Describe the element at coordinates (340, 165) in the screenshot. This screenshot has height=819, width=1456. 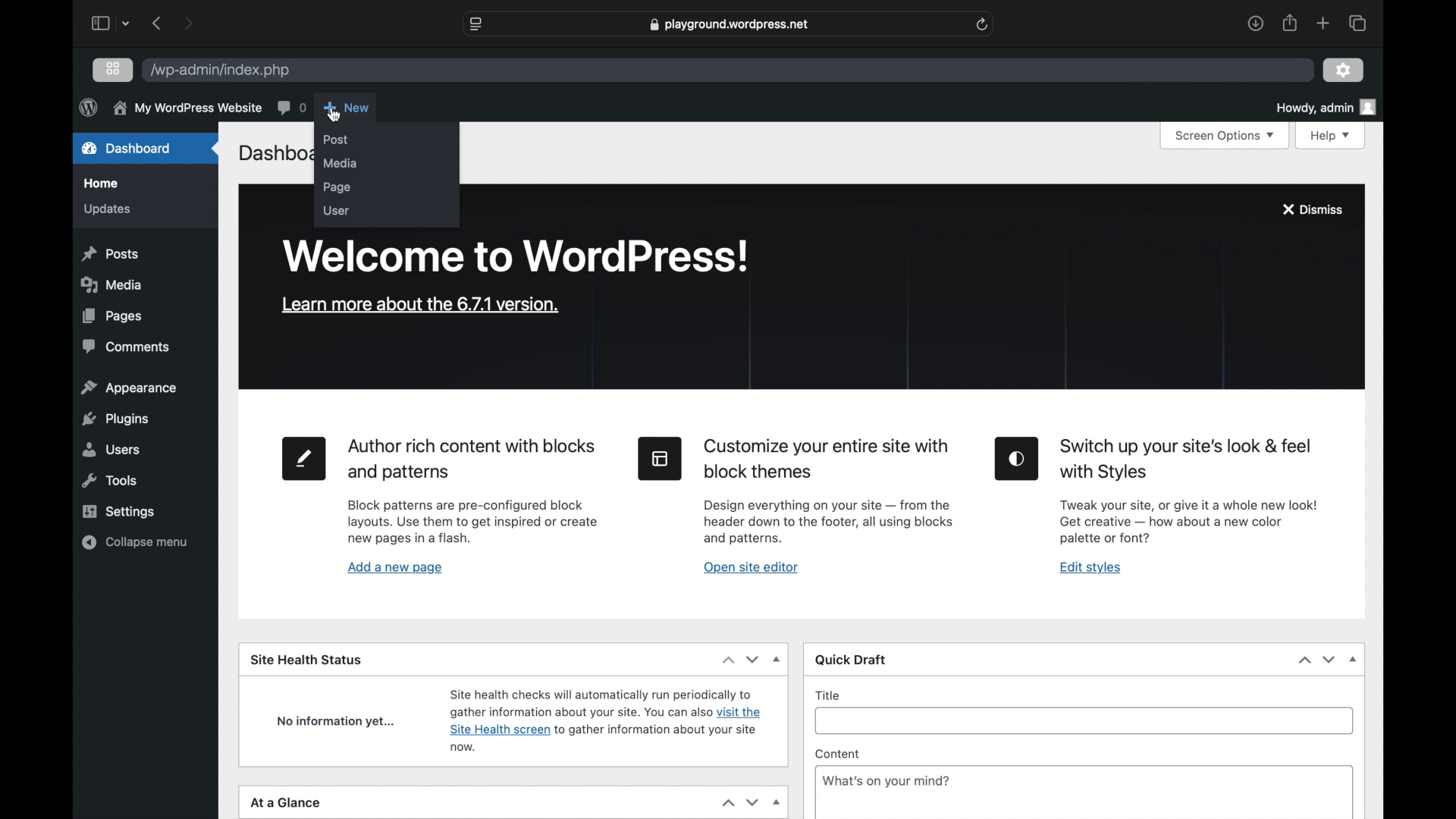
I see `media` at that location.